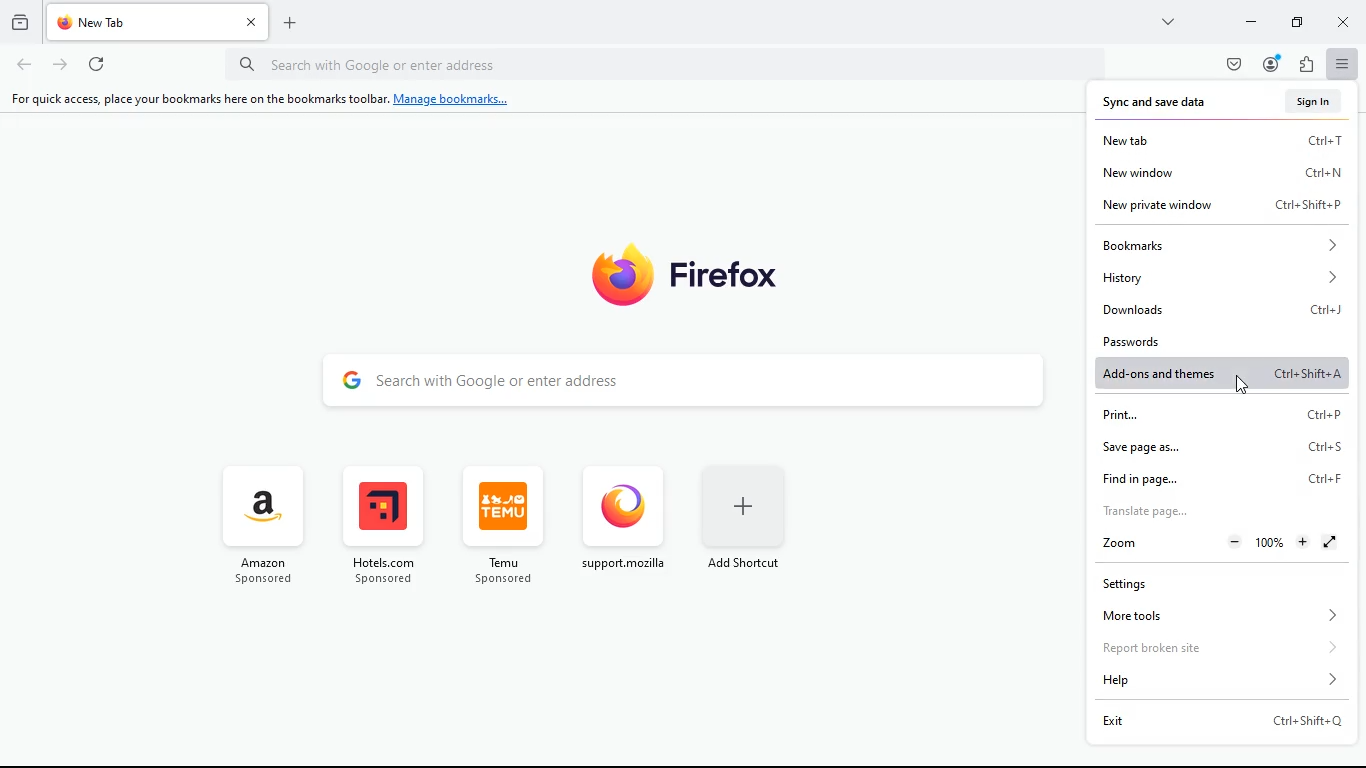  Describe the element at coordinates (1222, 245) in the screenshot. I see `bookmarks` at that location.